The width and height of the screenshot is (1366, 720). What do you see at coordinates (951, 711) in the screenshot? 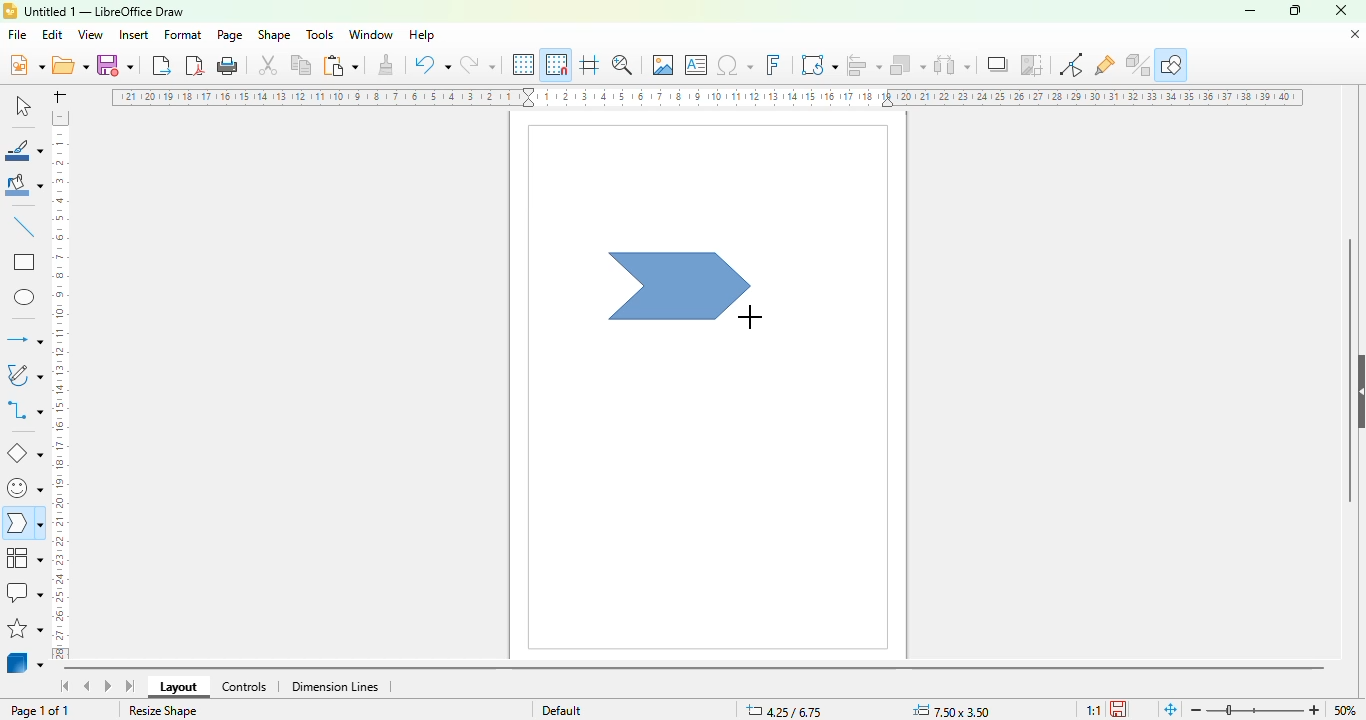
I see `change in width and height of object` at bounding box center [951, 711].